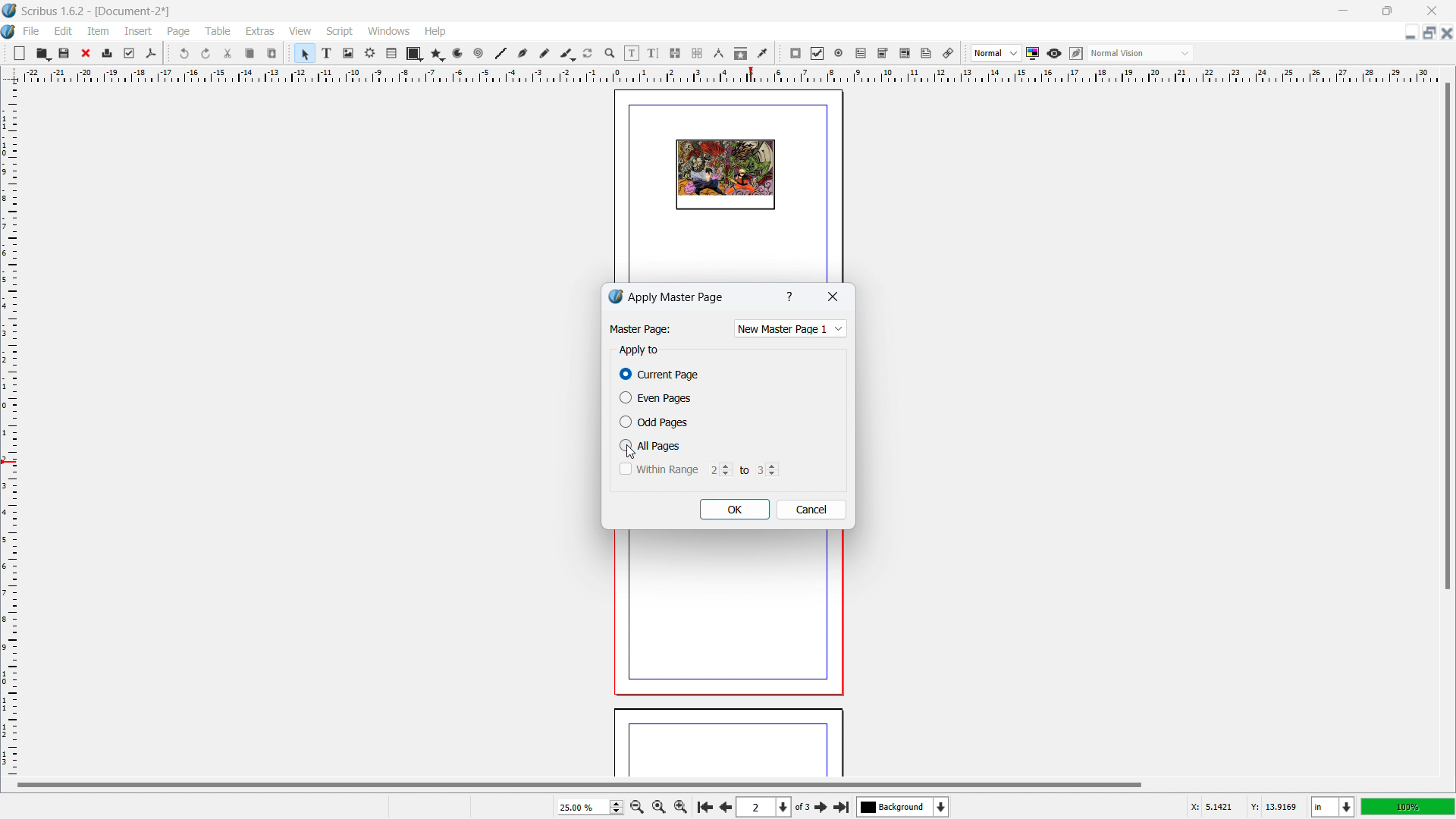 This screenshot has width=1456, height=819. I want to click on page, so click(728, 745).